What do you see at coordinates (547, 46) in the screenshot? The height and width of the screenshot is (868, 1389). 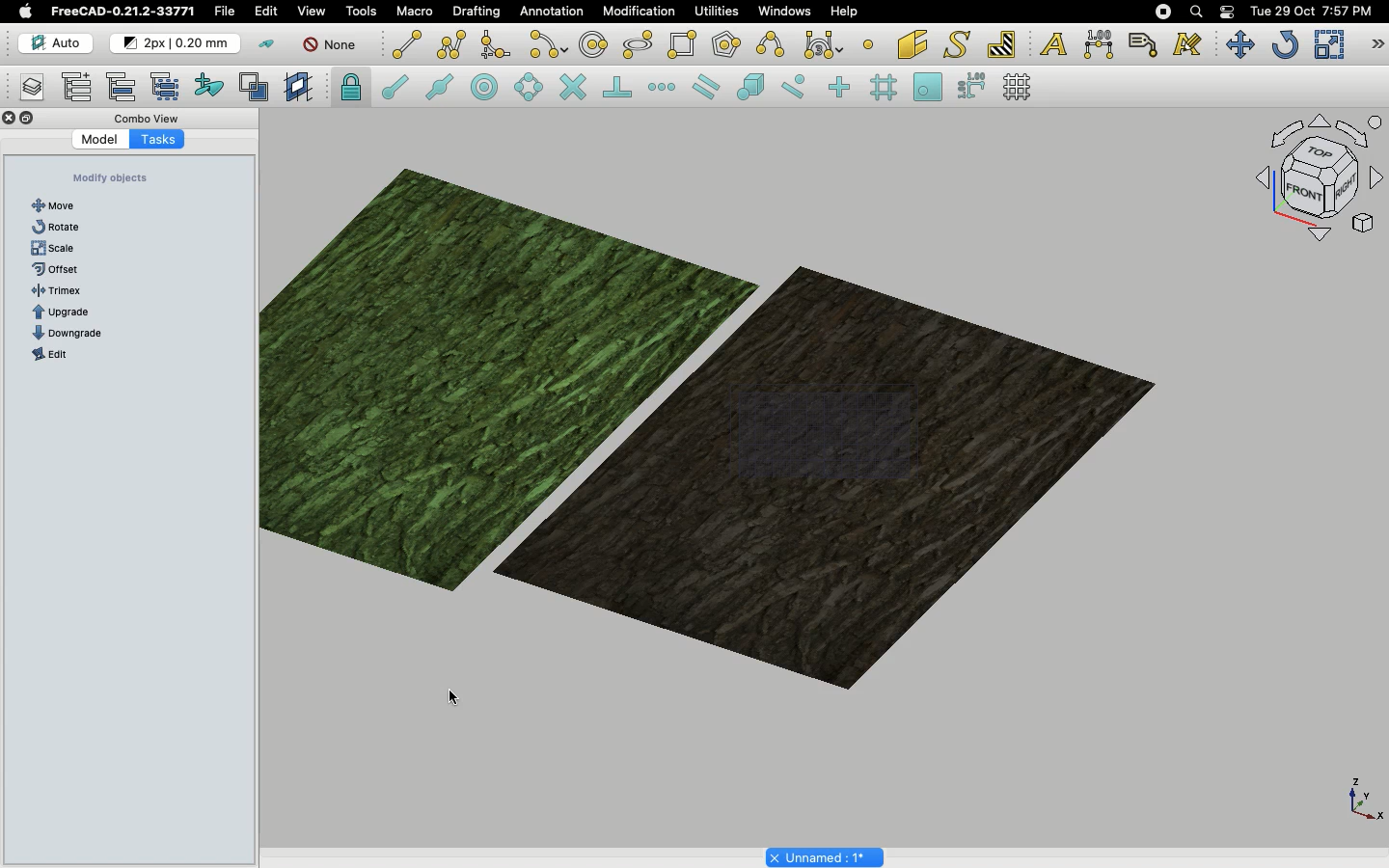 I see `Arc tools` at bounding box center [547, 46].